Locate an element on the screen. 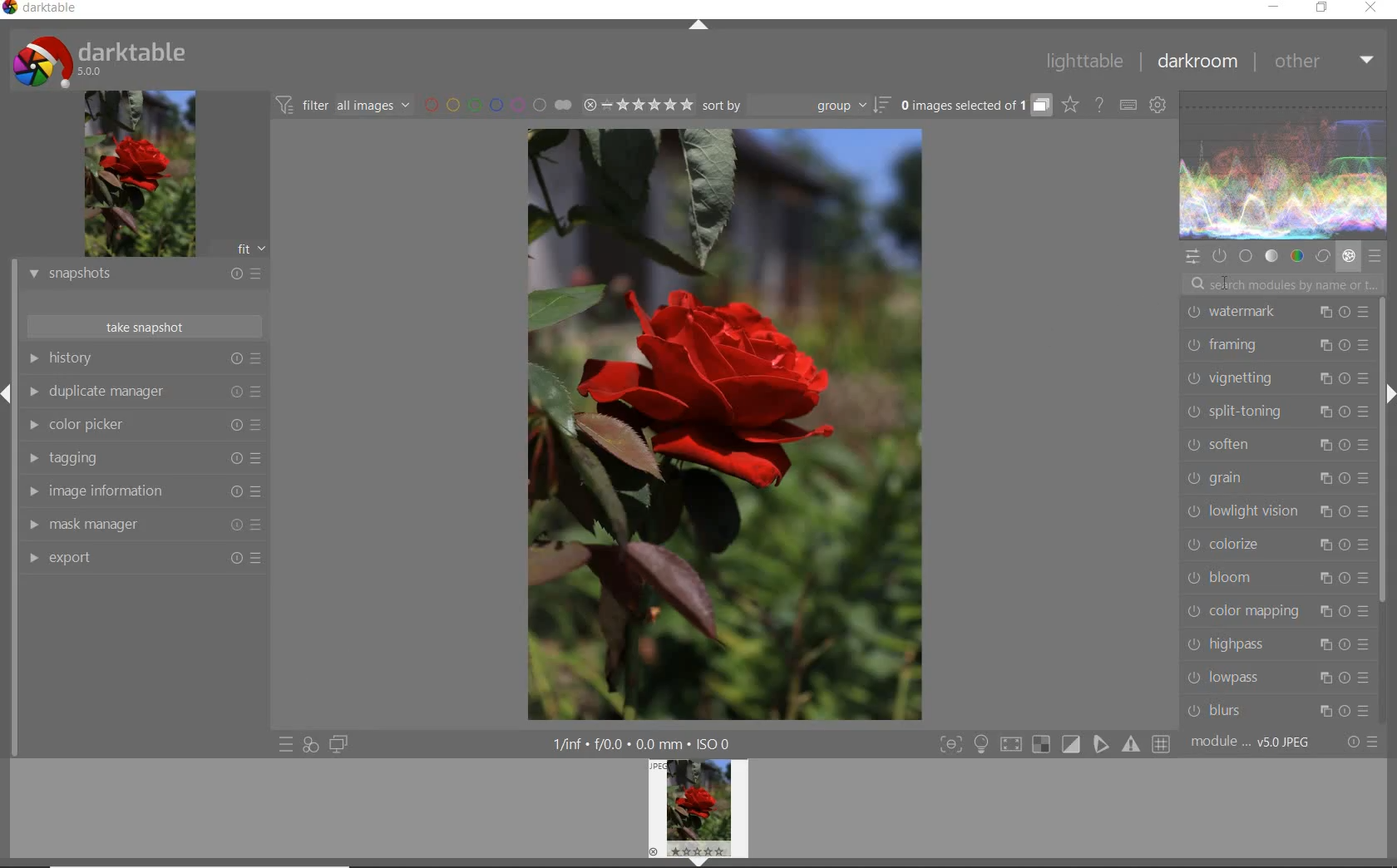 The width and height of the screenshot is (1397, 868). lowpass is located at coordinates (1275, 677).